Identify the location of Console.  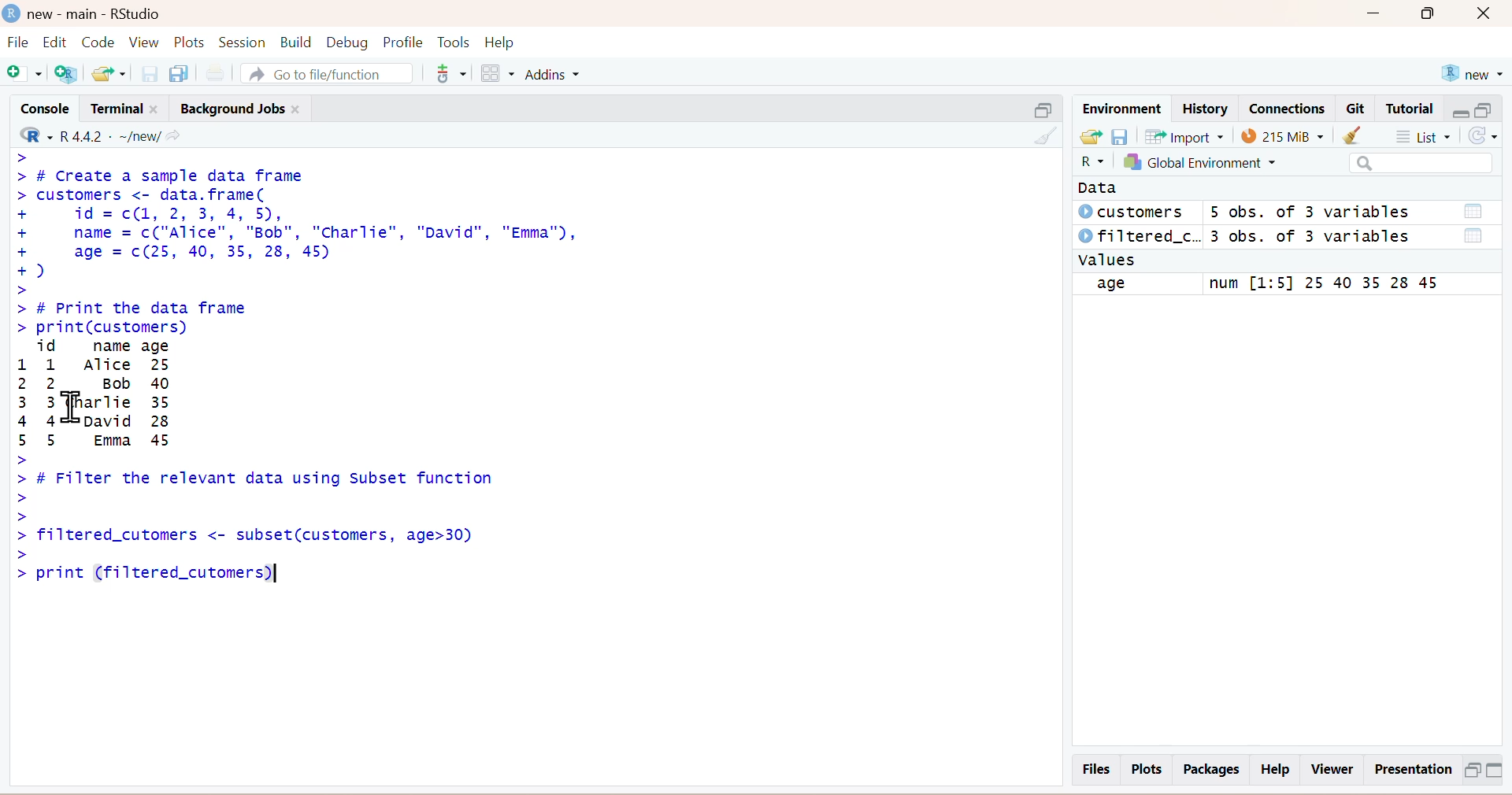
(41, 106).